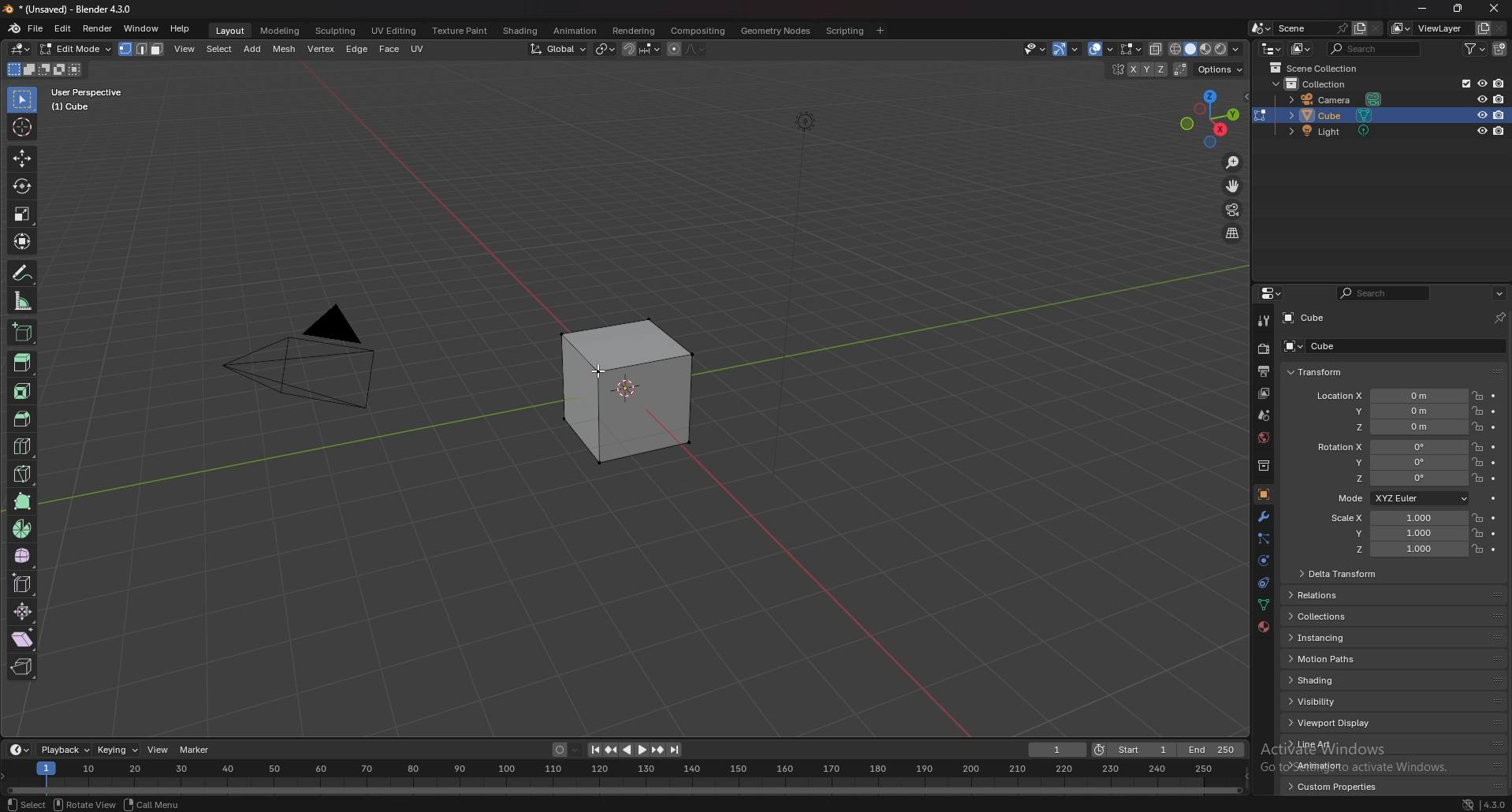 The height and width of the screenshot is (812, 1512). What do you see at coordinates (1264, 348) in the screenshot?
I see `render` at bounding box center [1264, 348].